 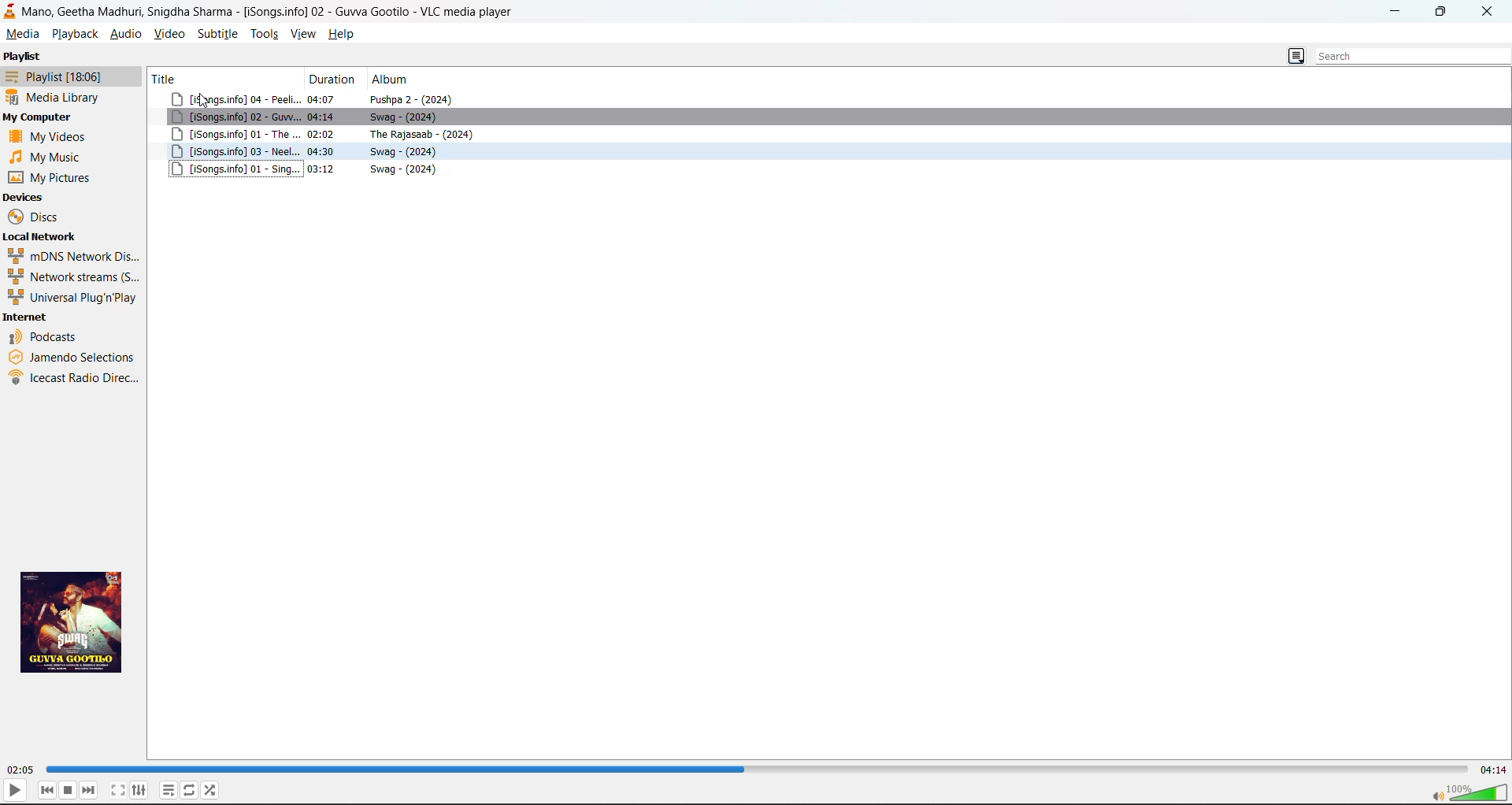 I want to click on total time, so click(x=1493, y=770).